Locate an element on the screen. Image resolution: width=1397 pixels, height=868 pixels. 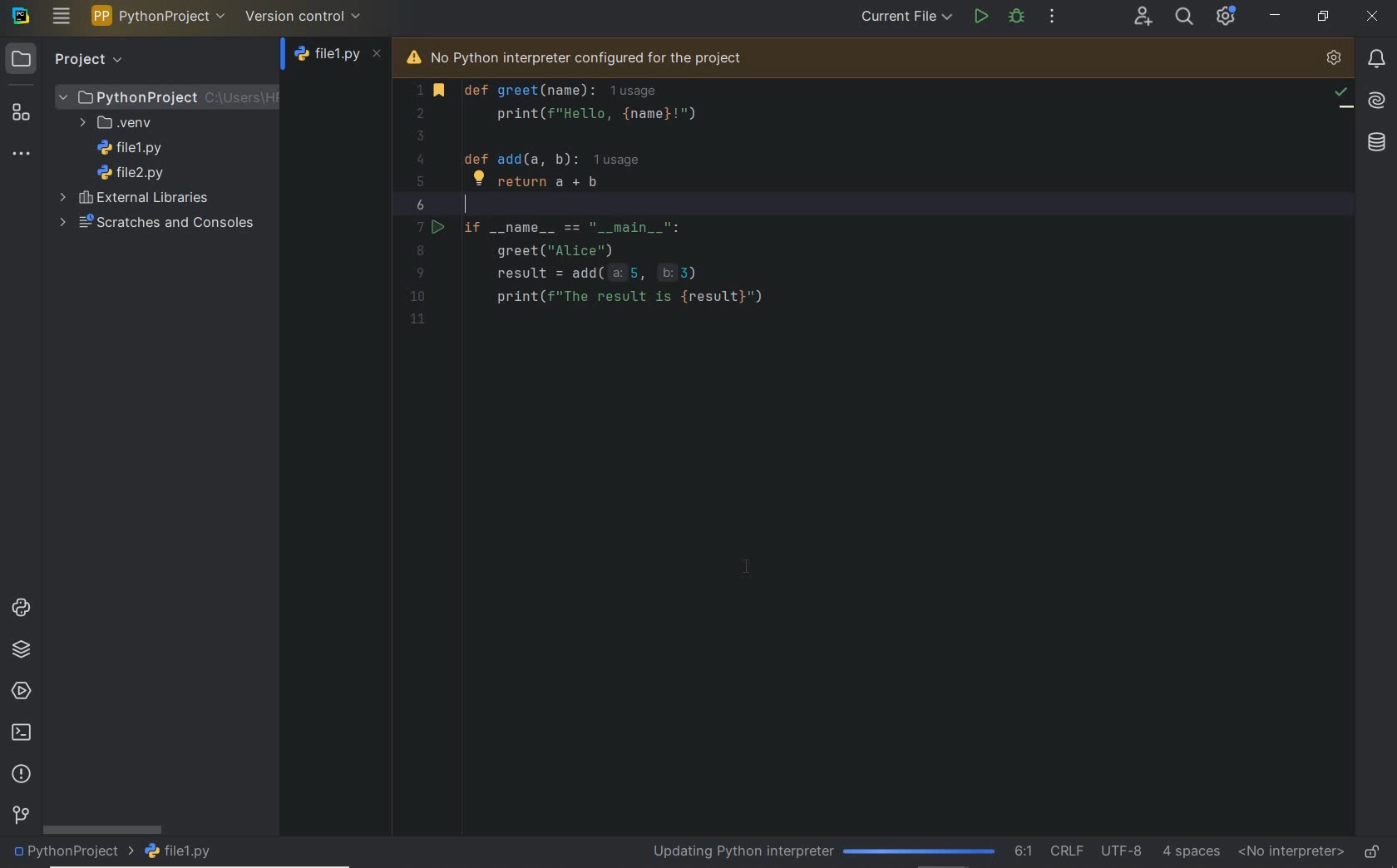
Project is located at coordinates (168, 96).